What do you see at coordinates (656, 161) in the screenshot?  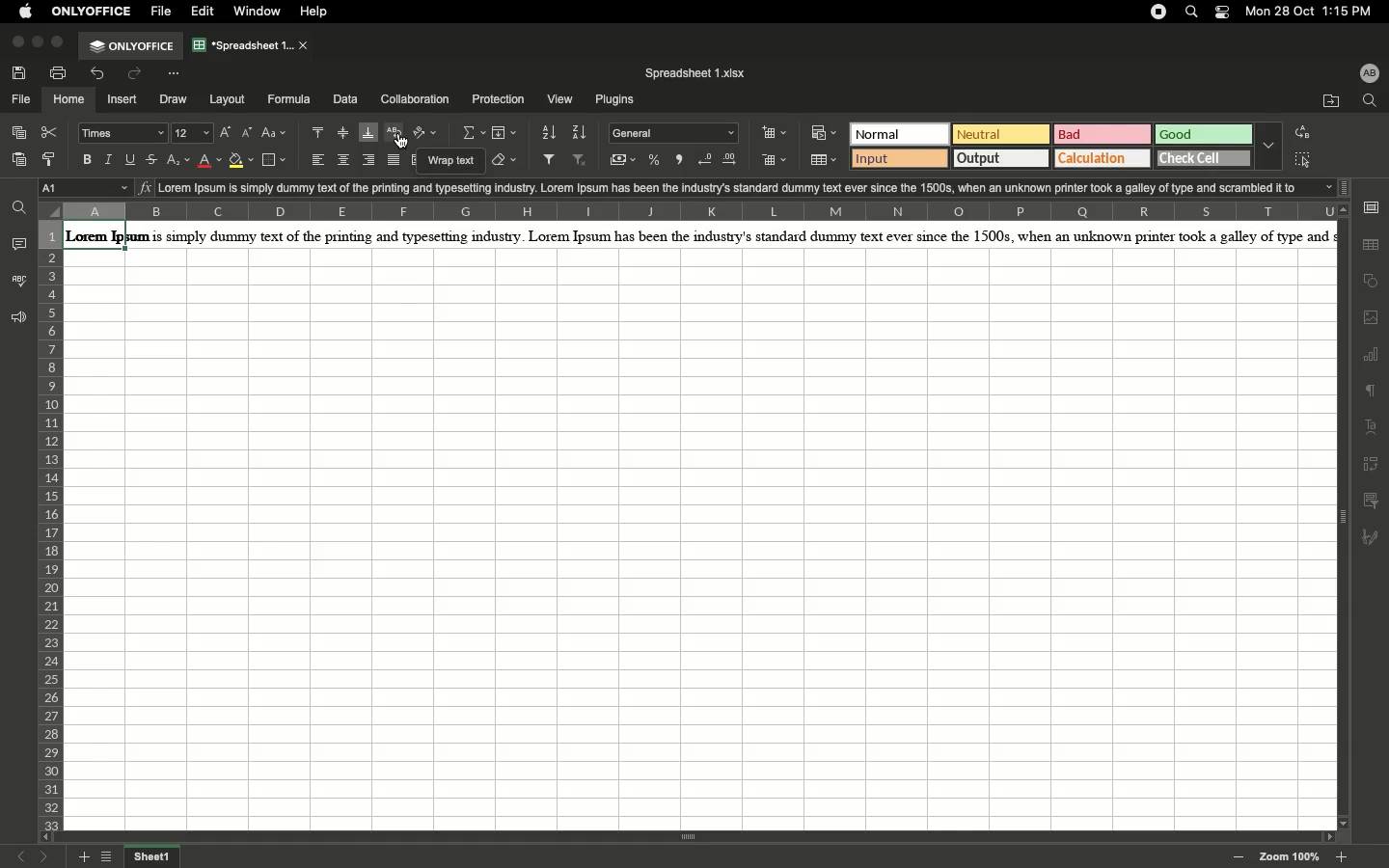 I see `Percent style` at bounding box center [656, 161].